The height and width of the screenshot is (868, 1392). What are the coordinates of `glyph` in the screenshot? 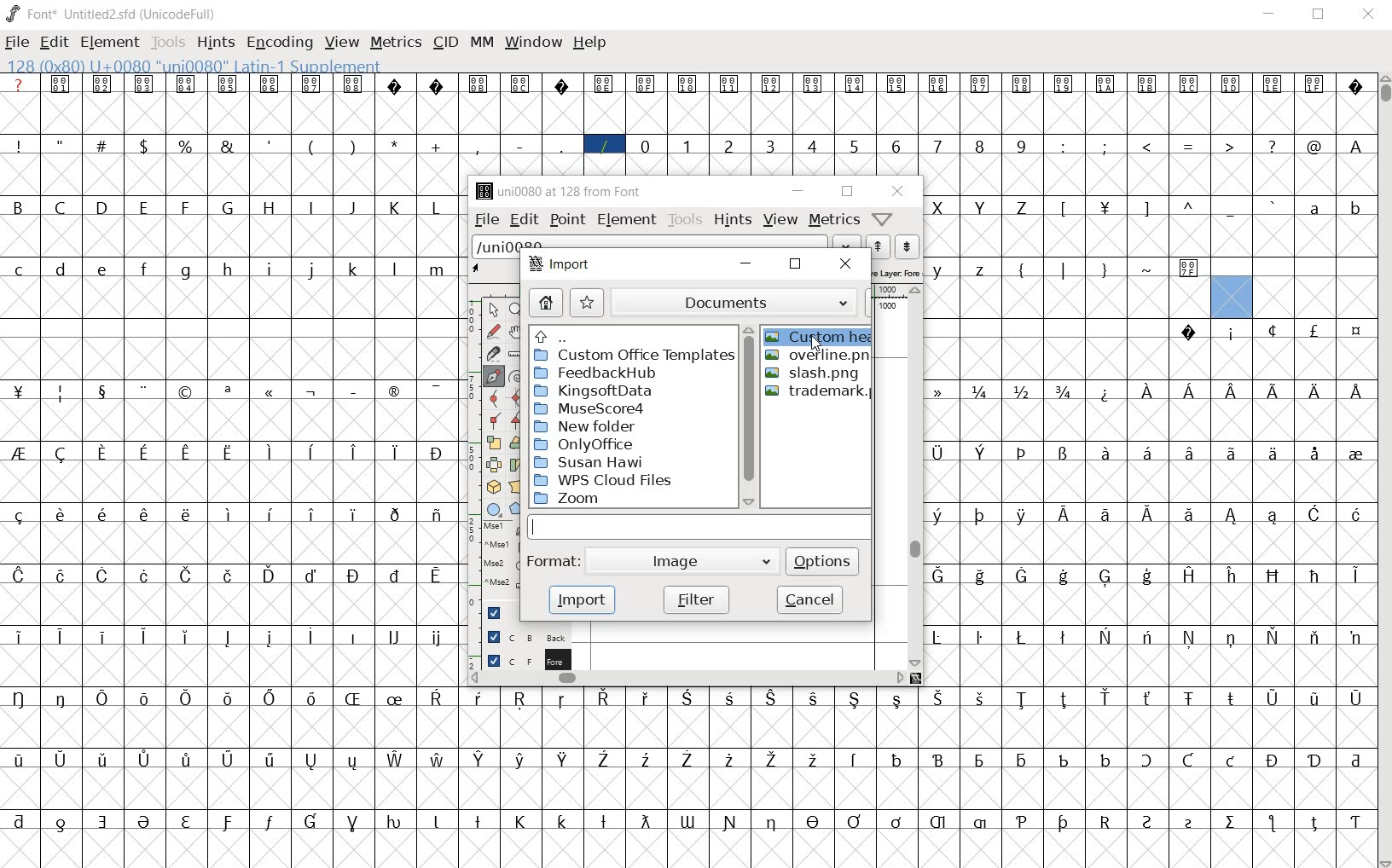 It's located at (143, 269).